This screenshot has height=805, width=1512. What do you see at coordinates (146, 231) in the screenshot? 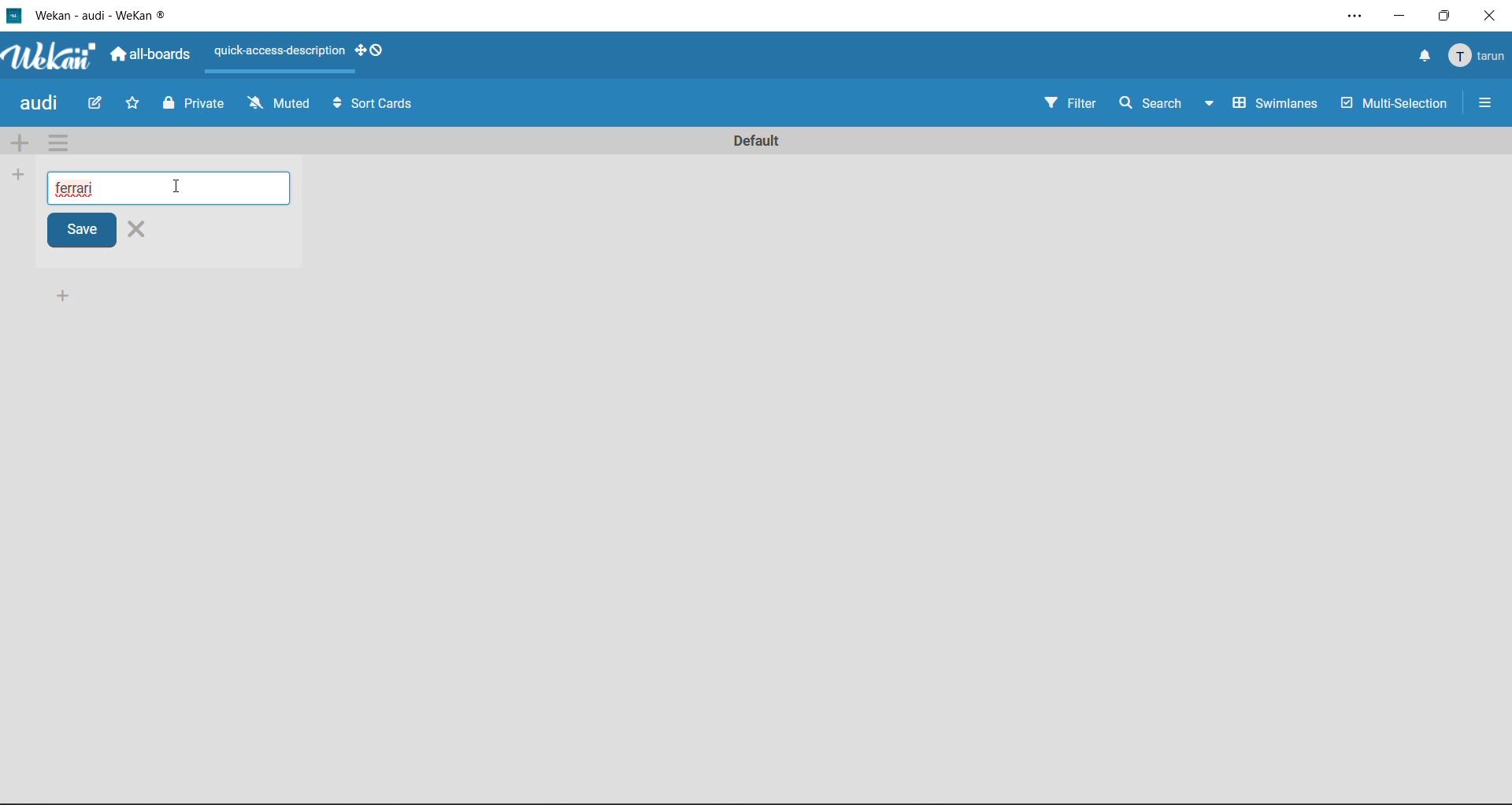
I see `Close` at bounding box center [146, 231].